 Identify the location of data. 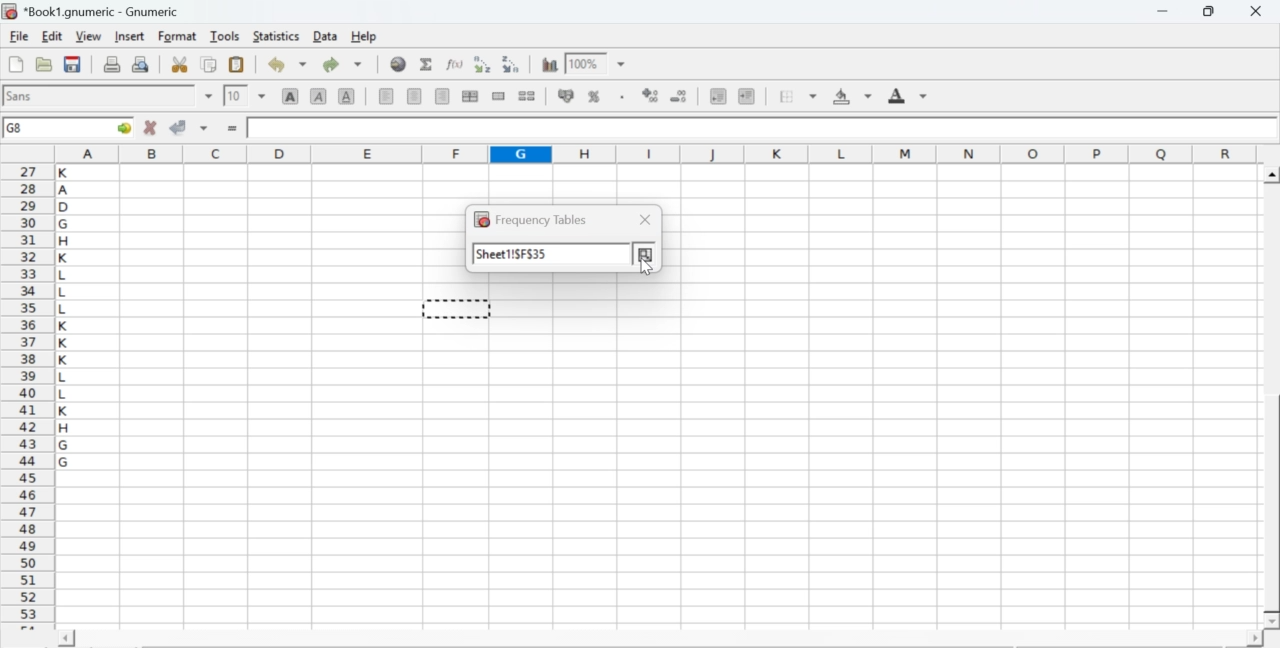
(327, 35).